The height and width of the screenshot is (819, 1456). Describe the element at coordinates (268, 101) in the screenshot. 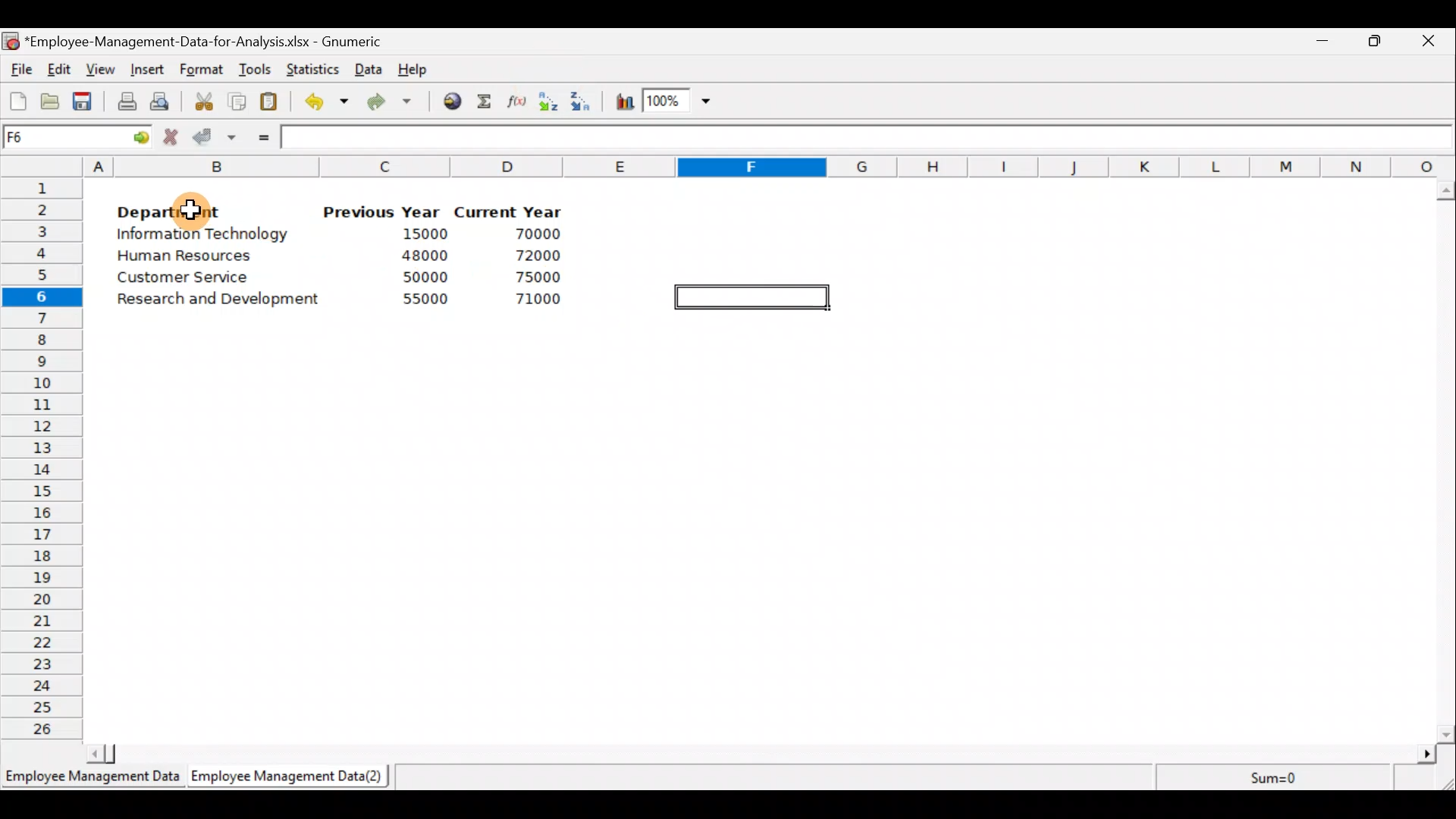

I see `Paste the clipboard` at that location.